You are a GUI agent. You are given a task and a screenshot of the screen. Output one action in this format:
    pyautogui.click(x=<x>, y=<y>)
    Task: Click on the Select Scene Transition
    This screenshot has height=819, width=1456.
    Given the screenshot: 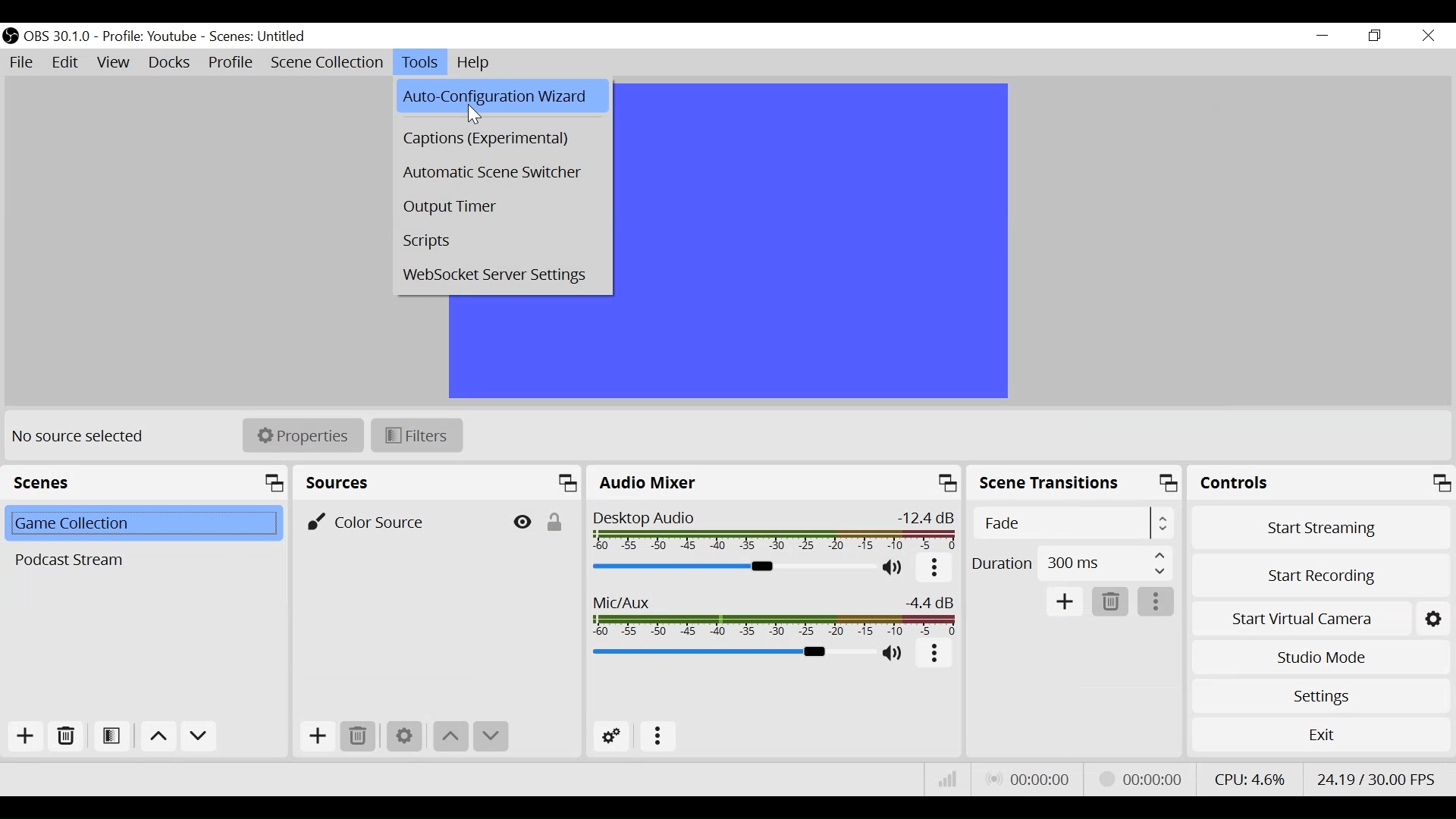 What is the action you would take?
    pyautogui.click(x=1072, y=523)
    